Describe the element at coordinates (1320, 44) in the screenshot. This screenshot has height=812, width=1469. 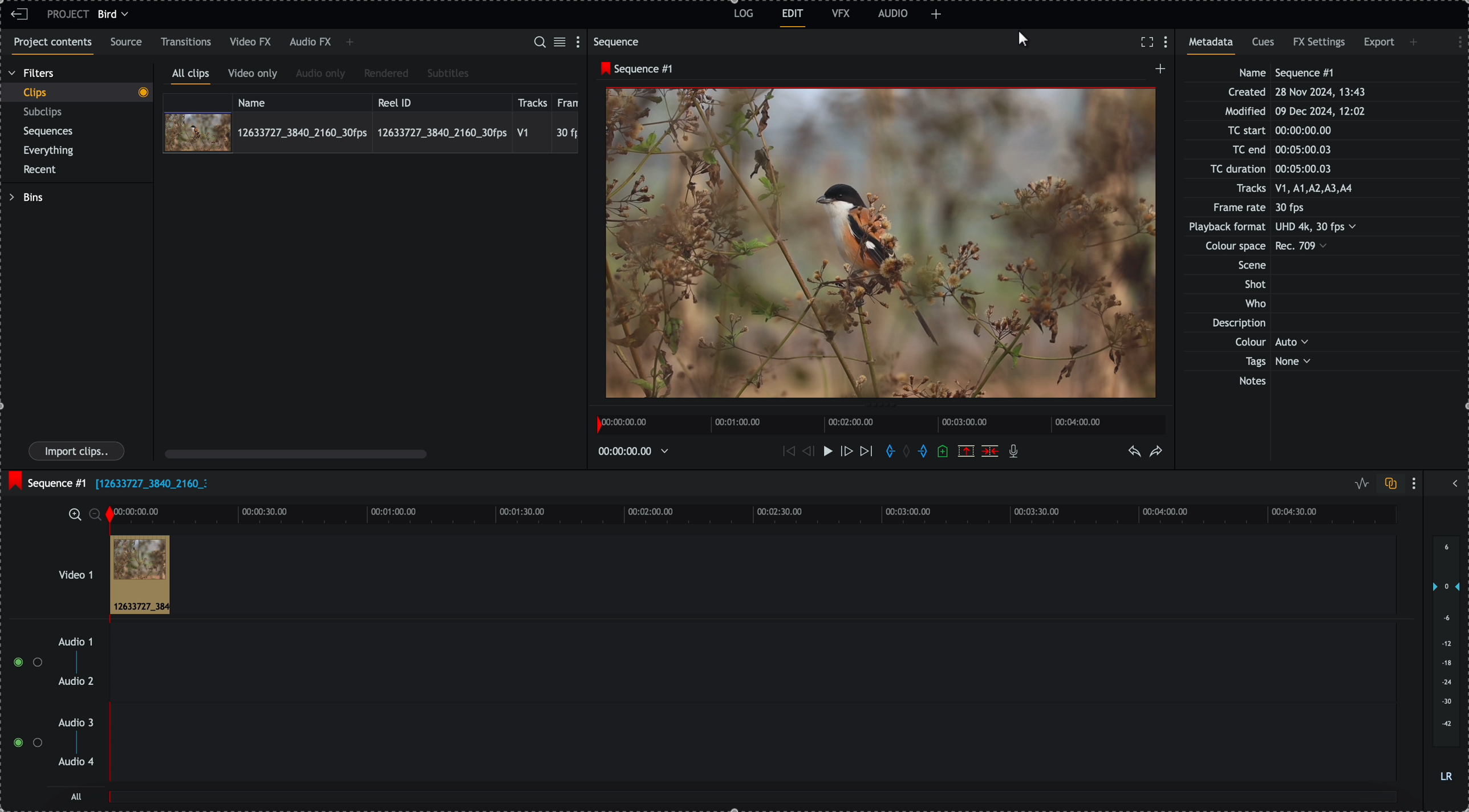
I see `FX settings` at that location.